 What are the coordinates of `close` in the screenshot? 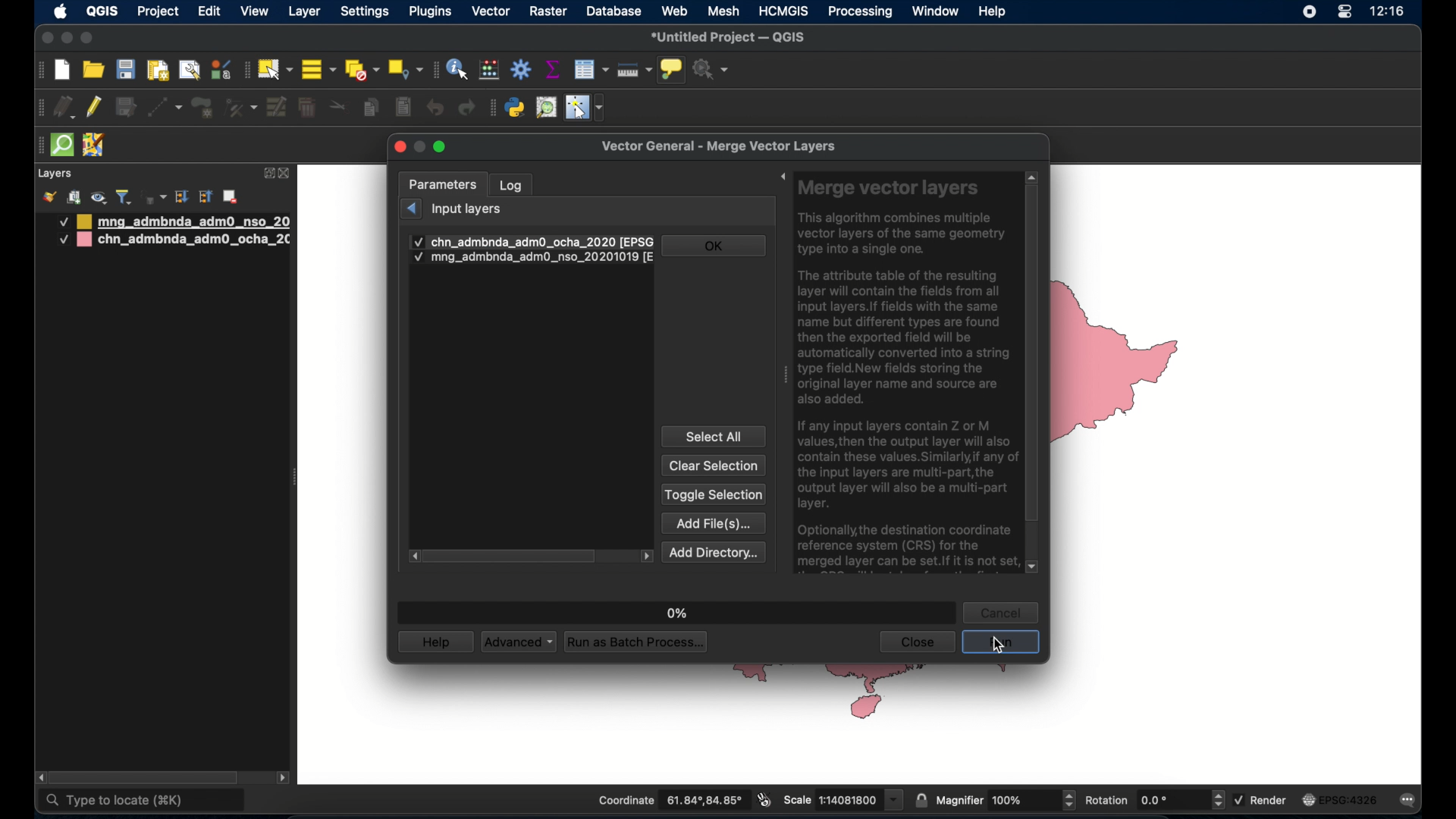 It's located at (286, 174).